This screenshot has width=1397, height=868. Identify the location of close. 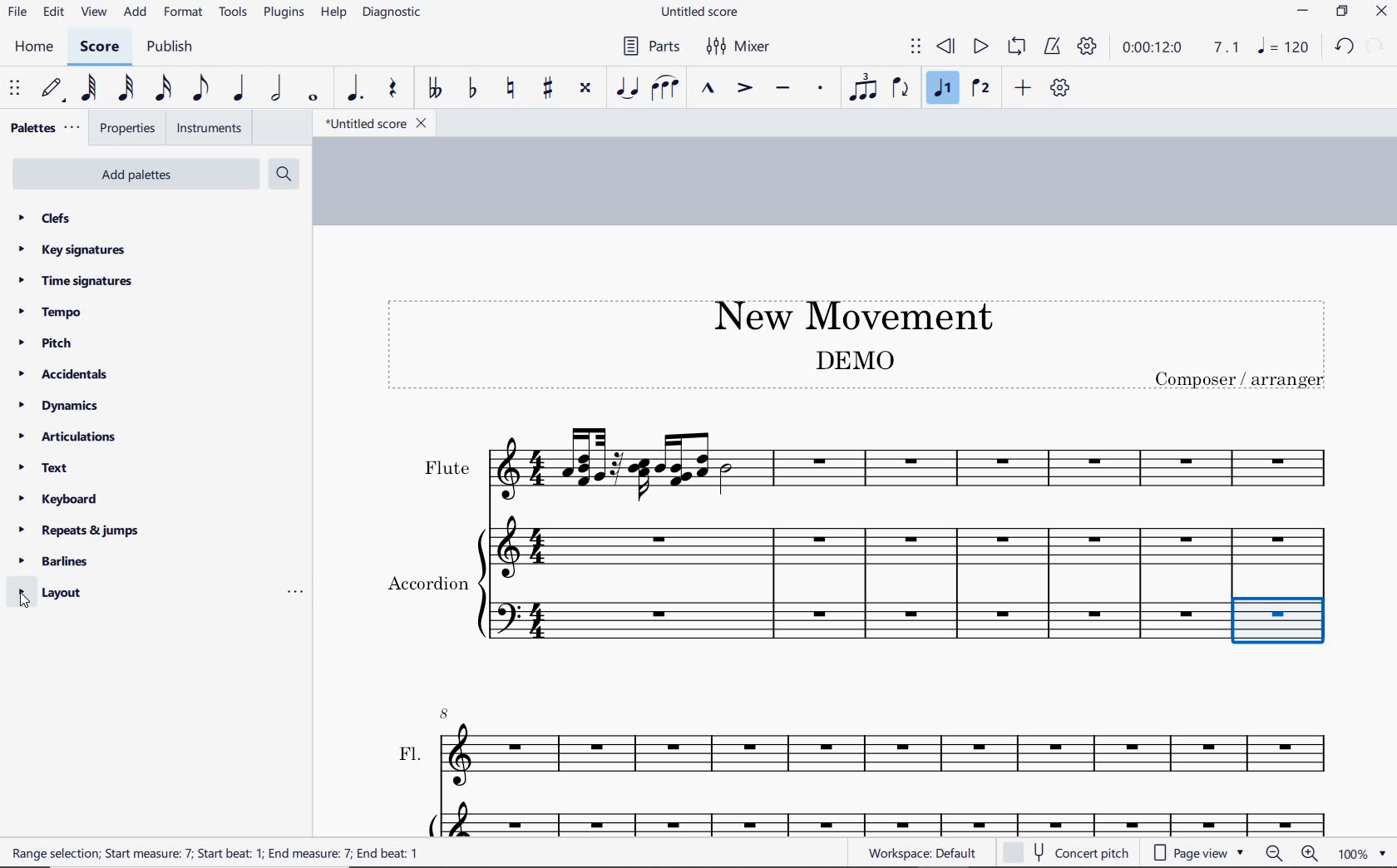
(1381, 13).